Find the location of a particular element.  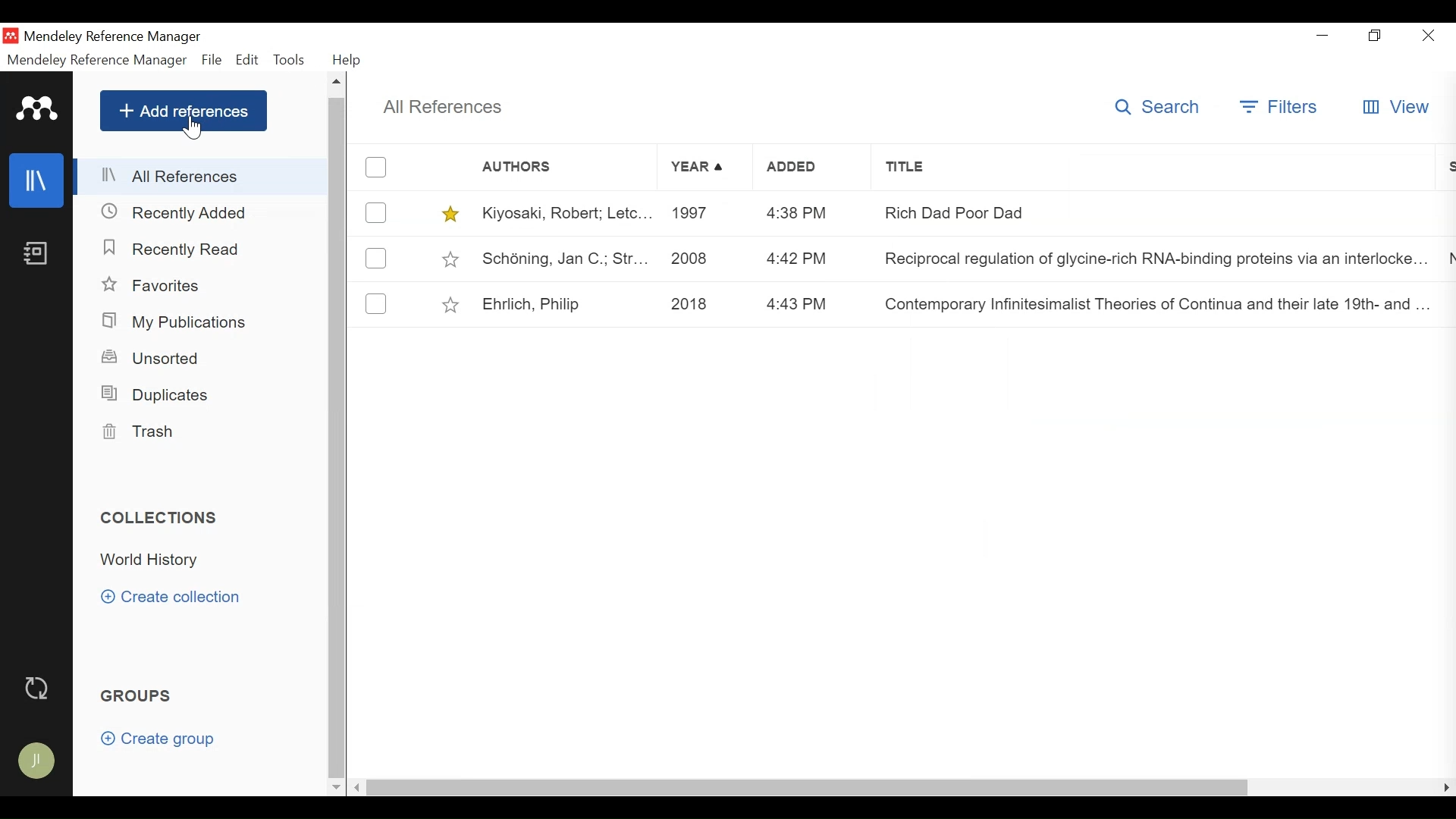

Mendeley Reference Manager is located at coordinates (98, 60).